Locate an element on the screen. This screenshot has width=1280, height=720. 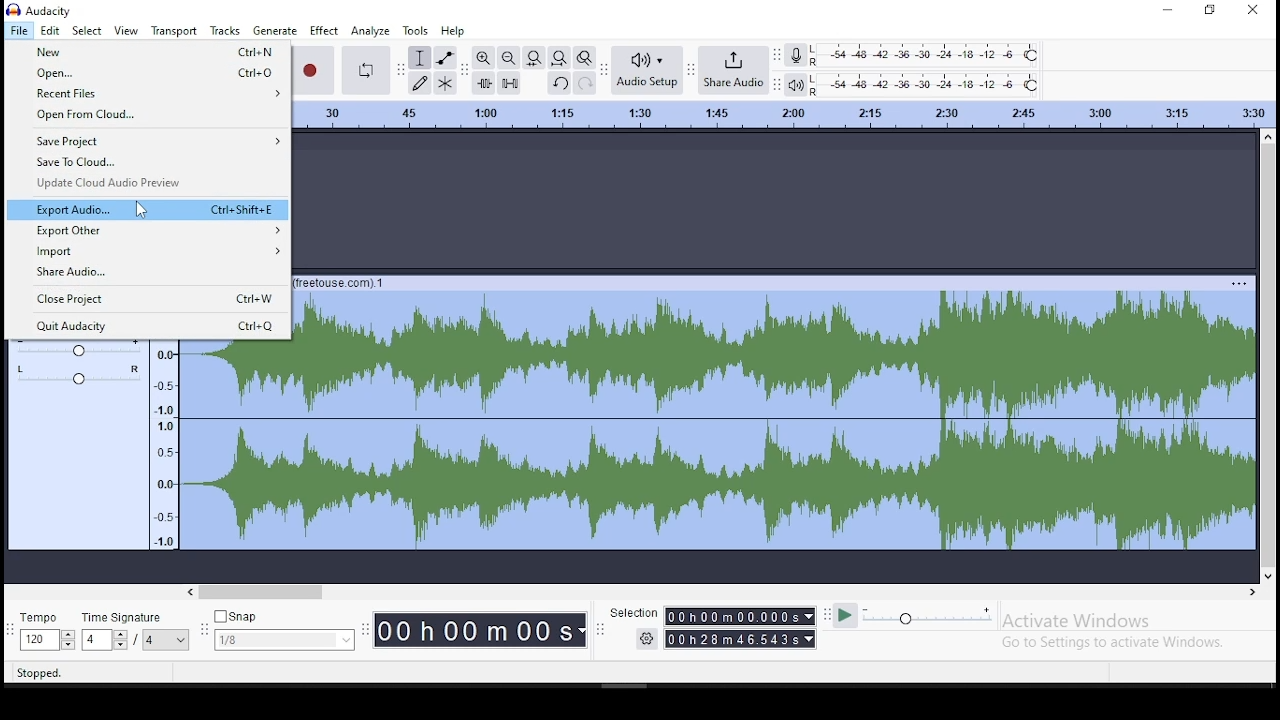
help is located at coordinates (452, 31).